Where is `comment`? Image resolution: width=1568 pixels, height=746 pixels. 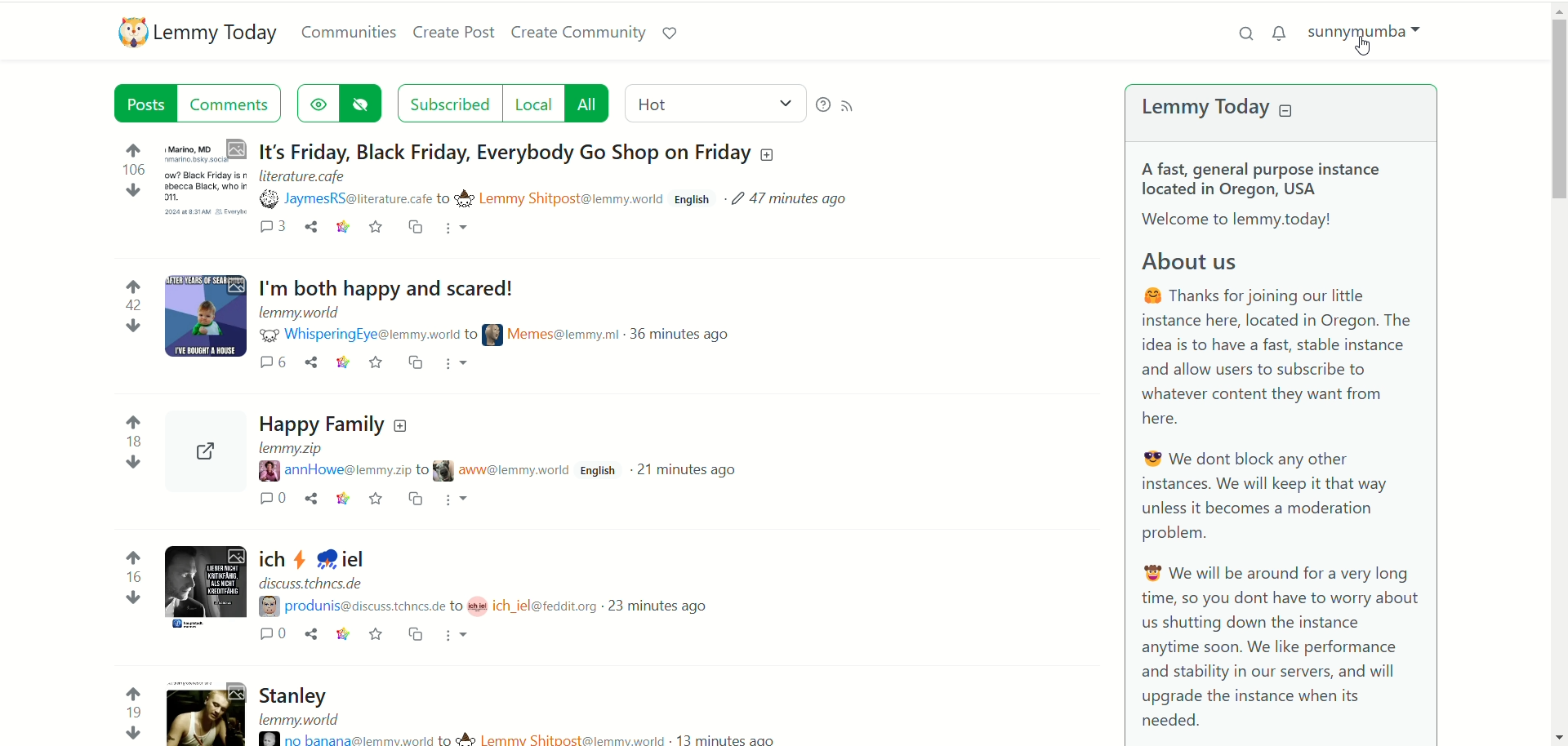
comment is located at coordinates (271, 229).